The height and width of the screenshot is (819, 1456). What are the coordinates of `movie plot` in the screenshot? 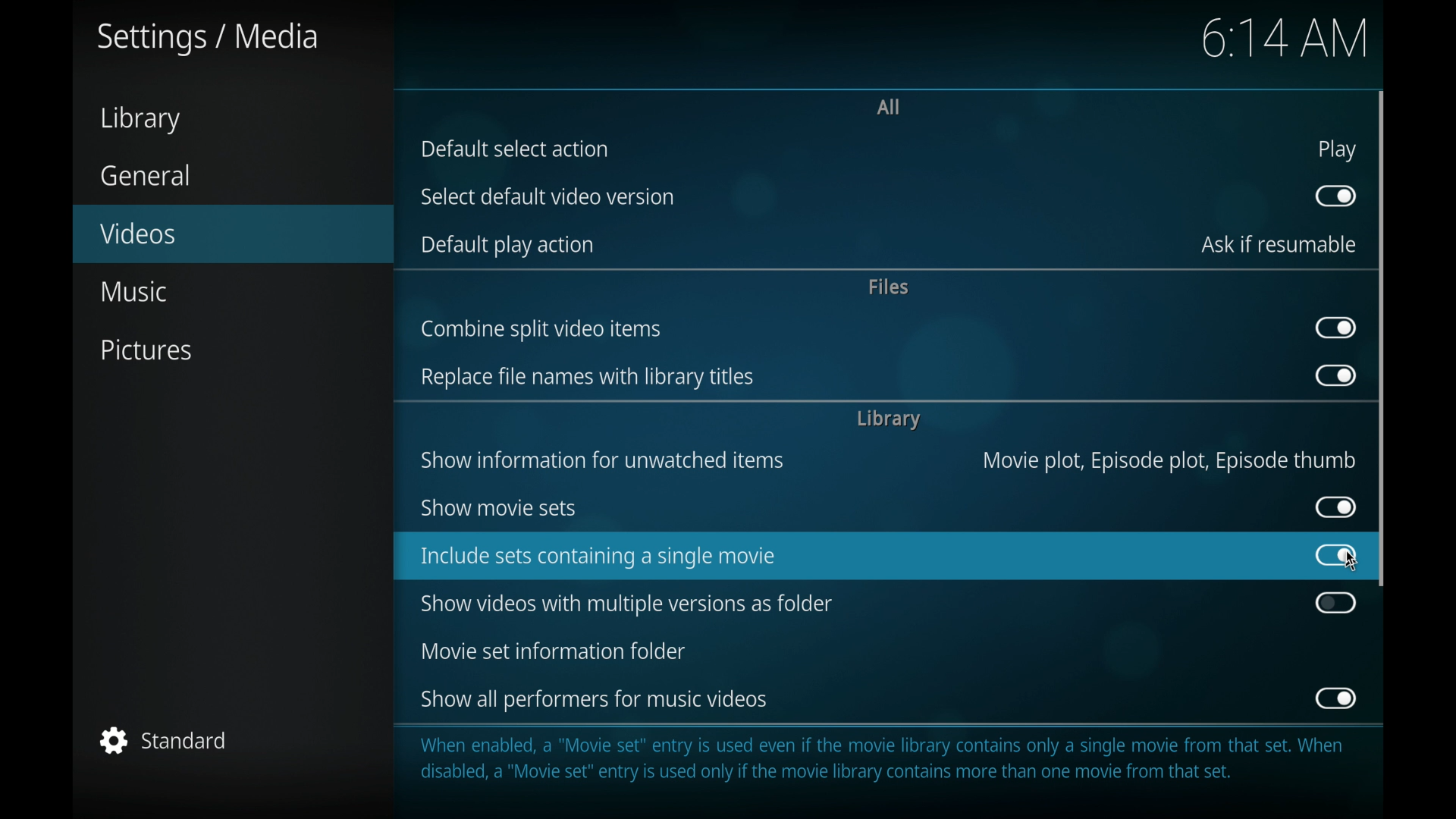 It's located at (1169, 462).